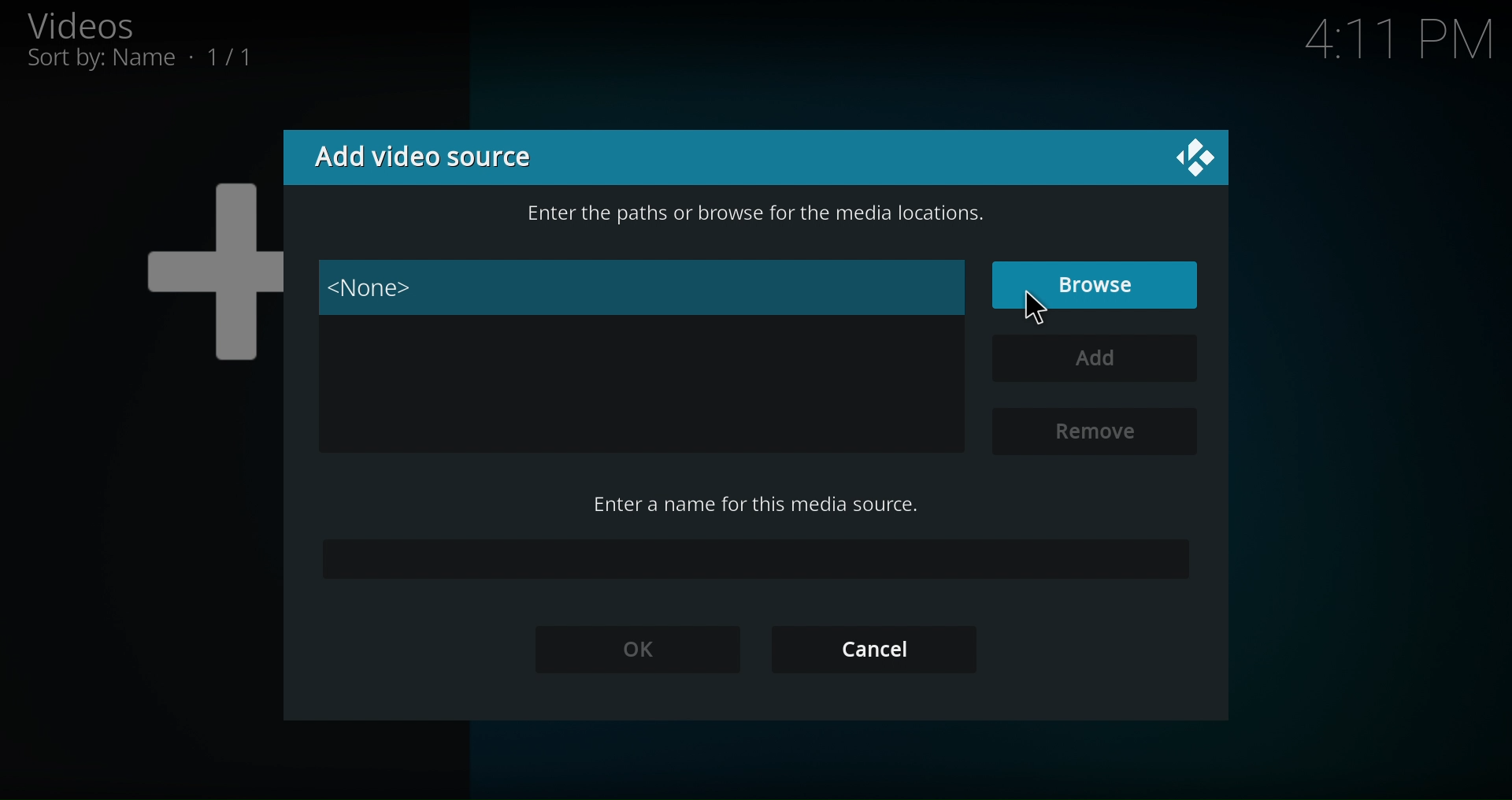 Image resolution: width=1512 pixels, height=800 pixels. Describe the element at coordinates (871, 646) in the screenshot. I see `Cancel` at that location.